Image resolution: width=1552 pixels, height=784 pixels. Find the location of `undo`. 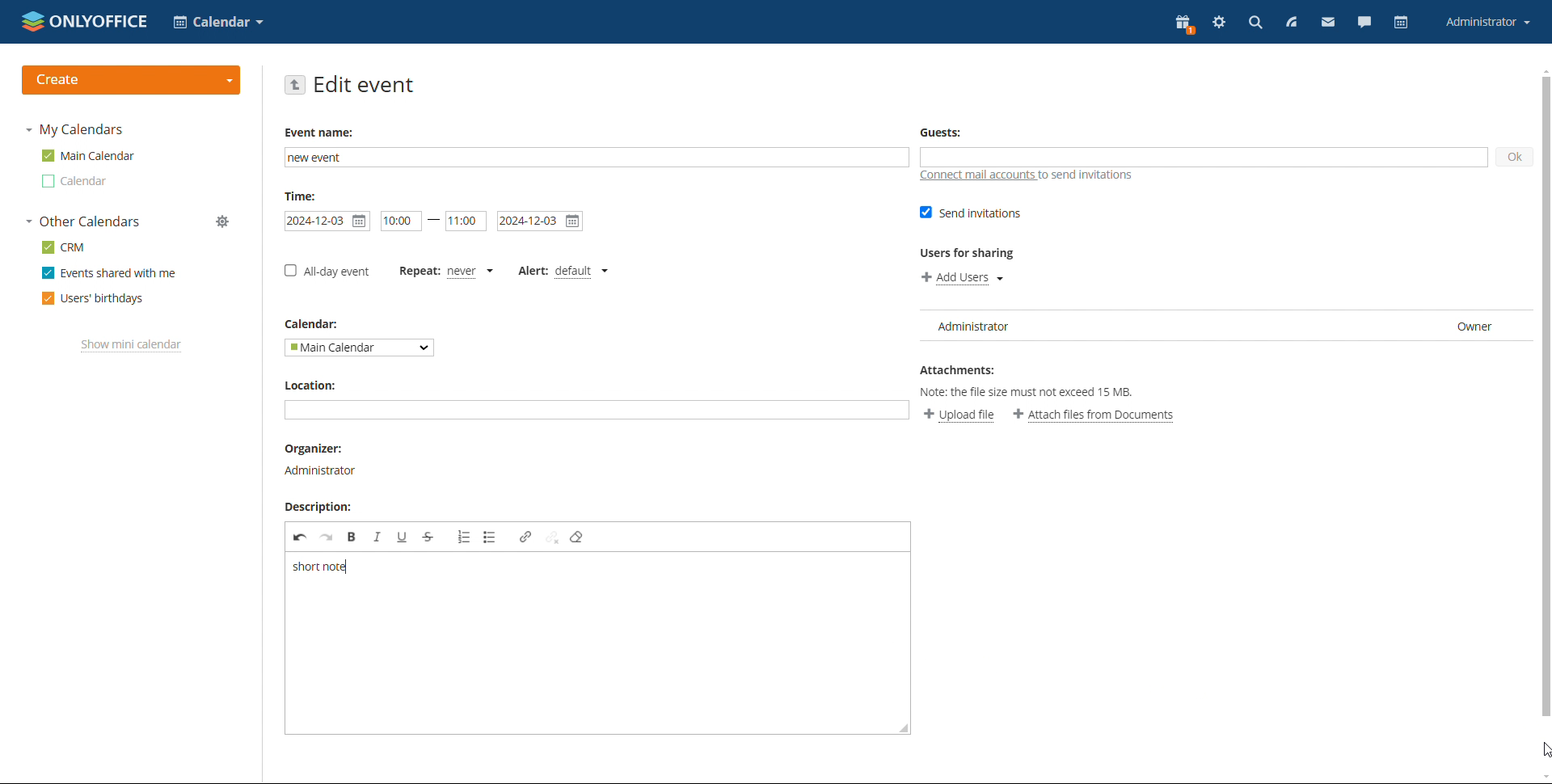

undo is located at coordinates (300, 537).